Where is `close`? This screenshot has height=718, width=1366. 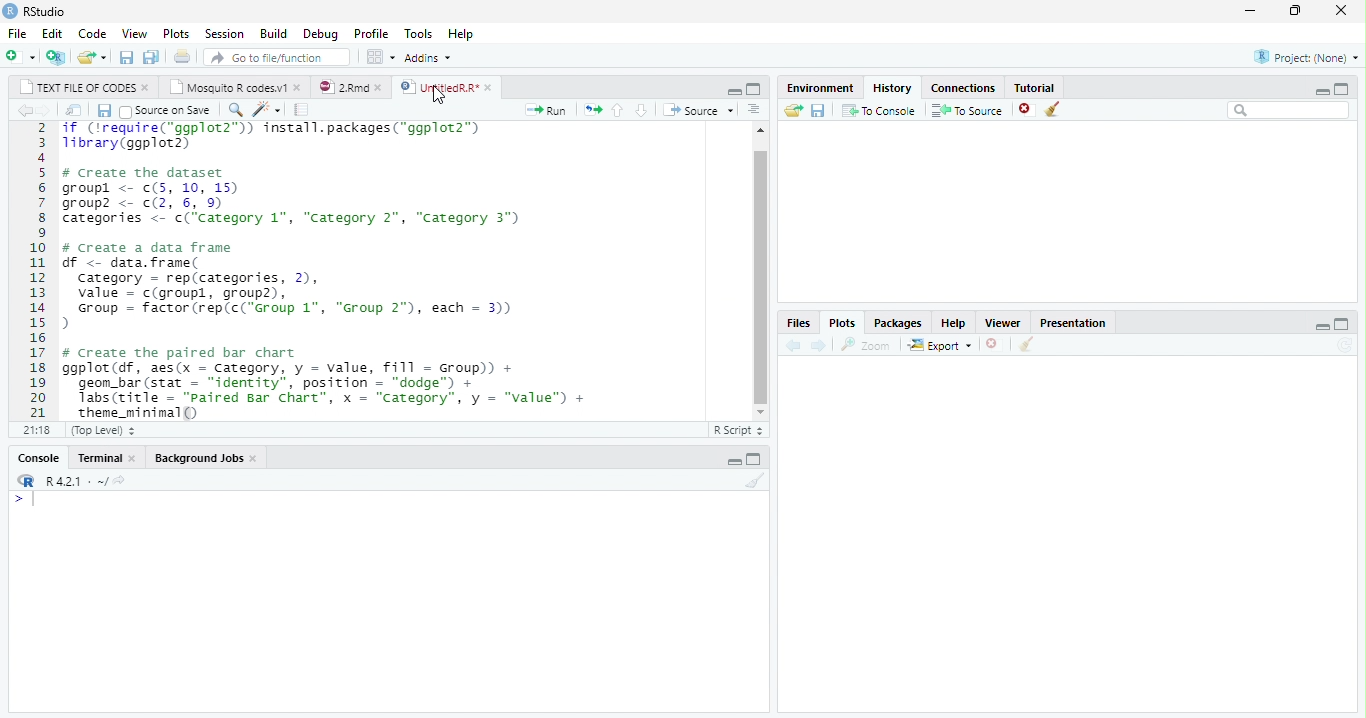 close is located at coordinates (146, 89).